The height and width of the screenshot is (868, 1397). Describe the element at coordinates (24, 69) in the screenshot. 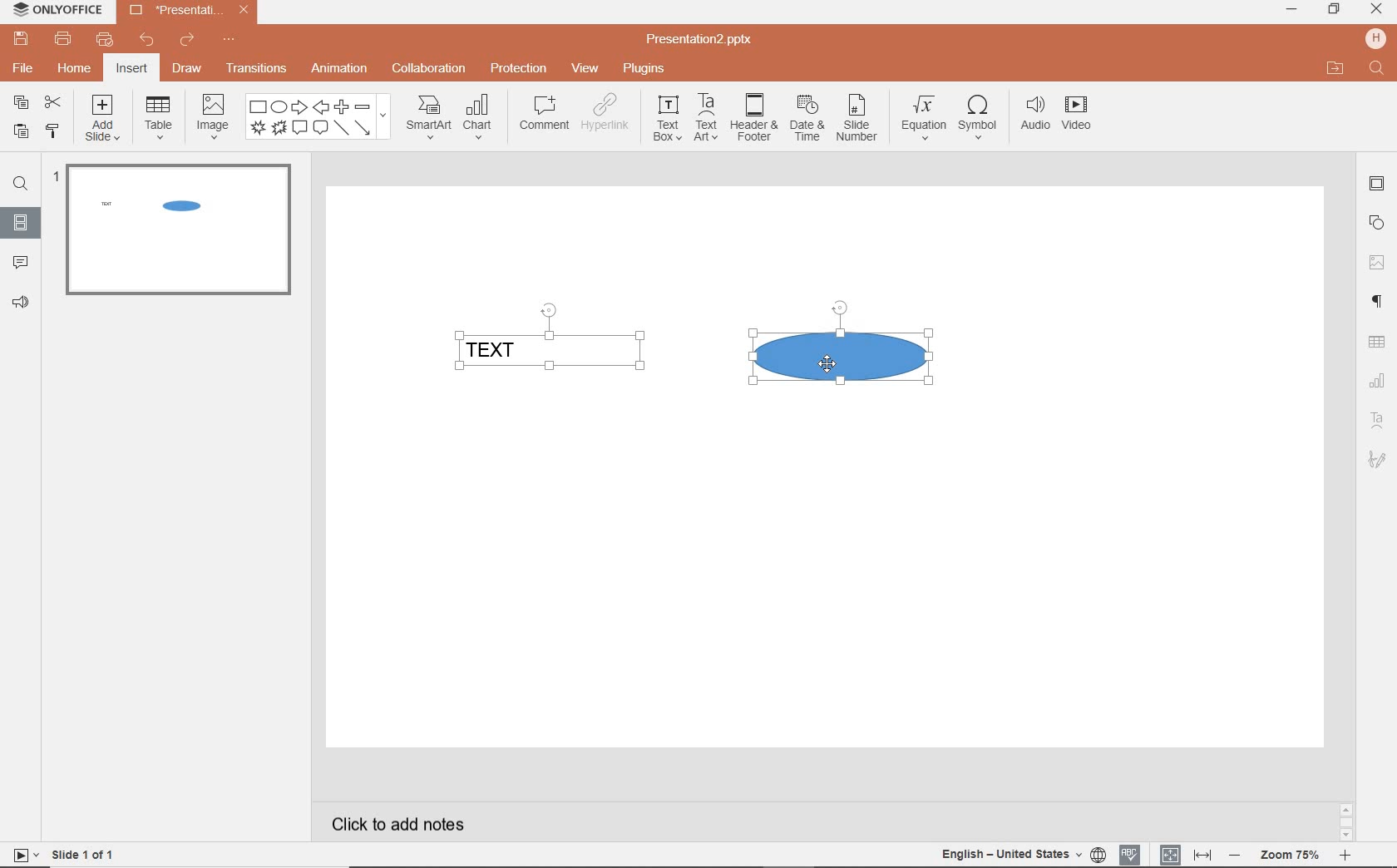

I see `file` at that location.